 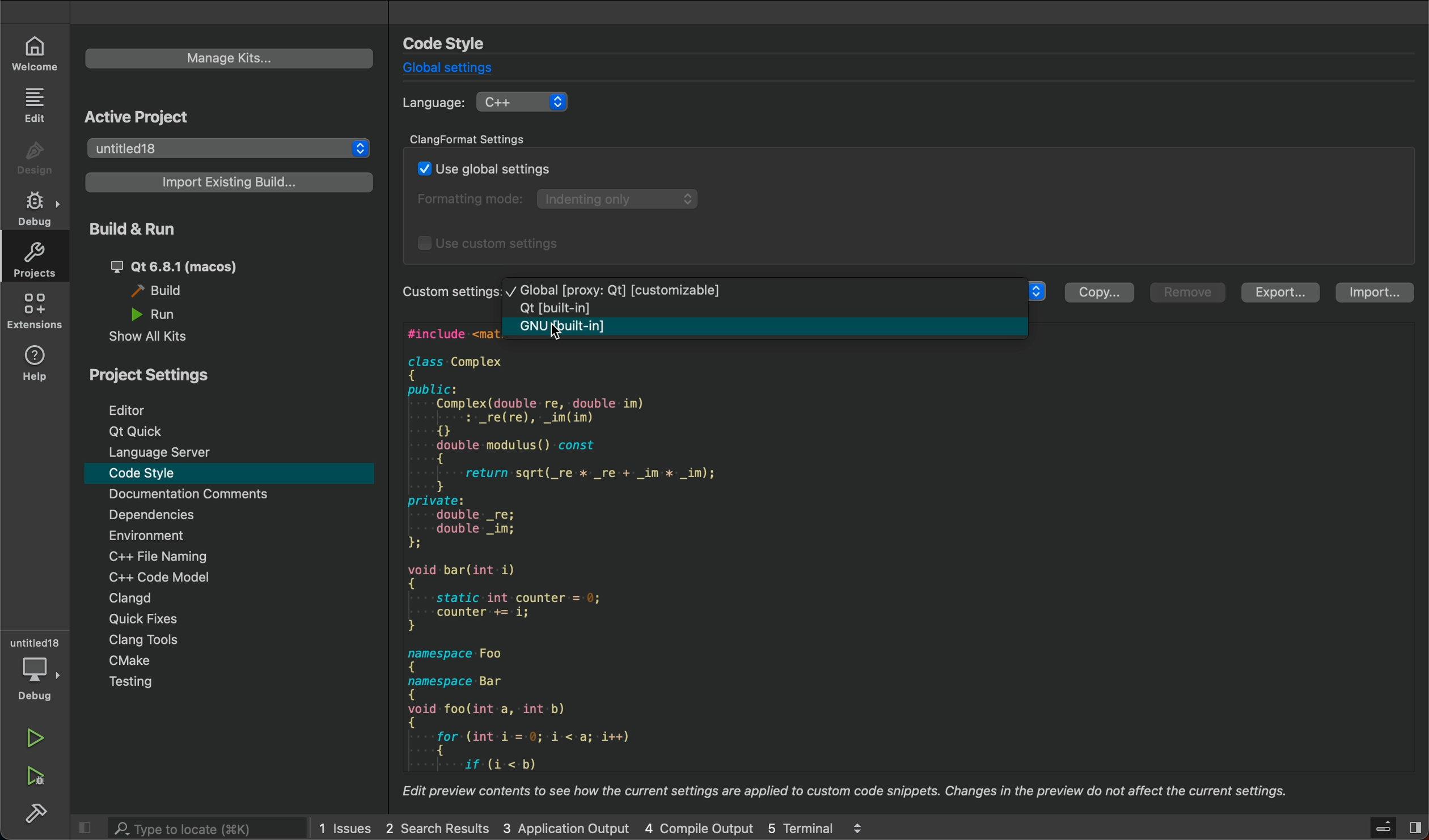 I want to click on Indenting only , so click(x=621, y=198).